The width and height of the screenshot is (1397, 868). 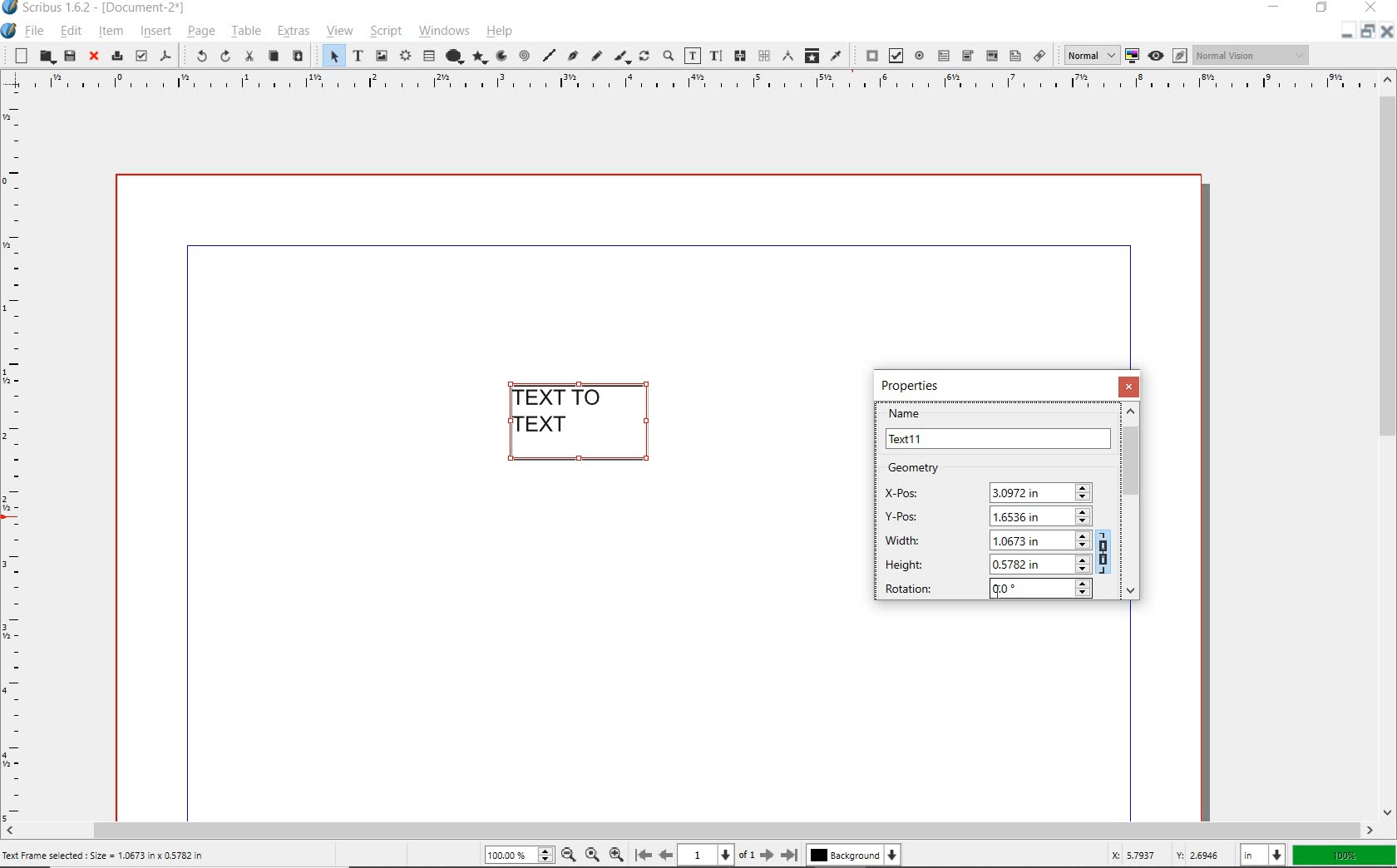 What do you see at coordinates (1388, 36) in the screenshot?
I see `close` at bounding box center [1388, 36].